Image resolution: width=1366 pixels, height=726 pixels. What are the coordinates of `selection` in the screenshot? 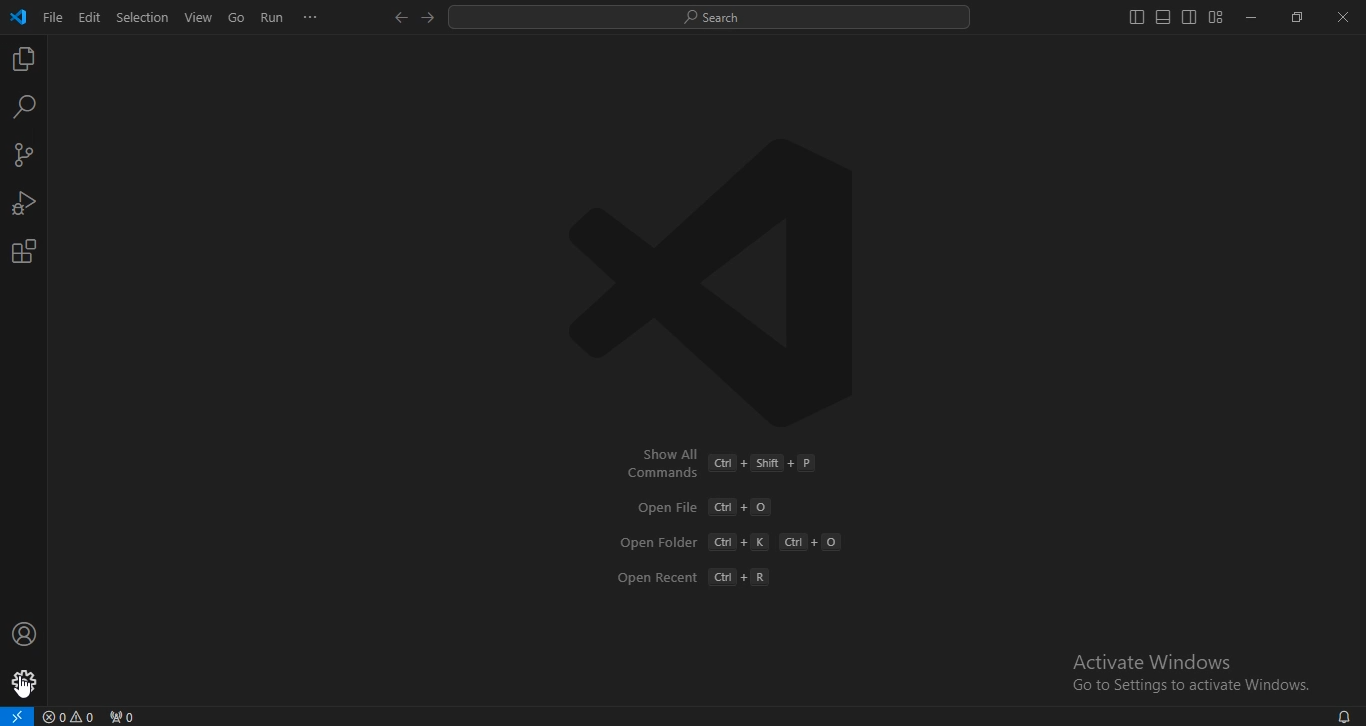 It's located at (143, 16).